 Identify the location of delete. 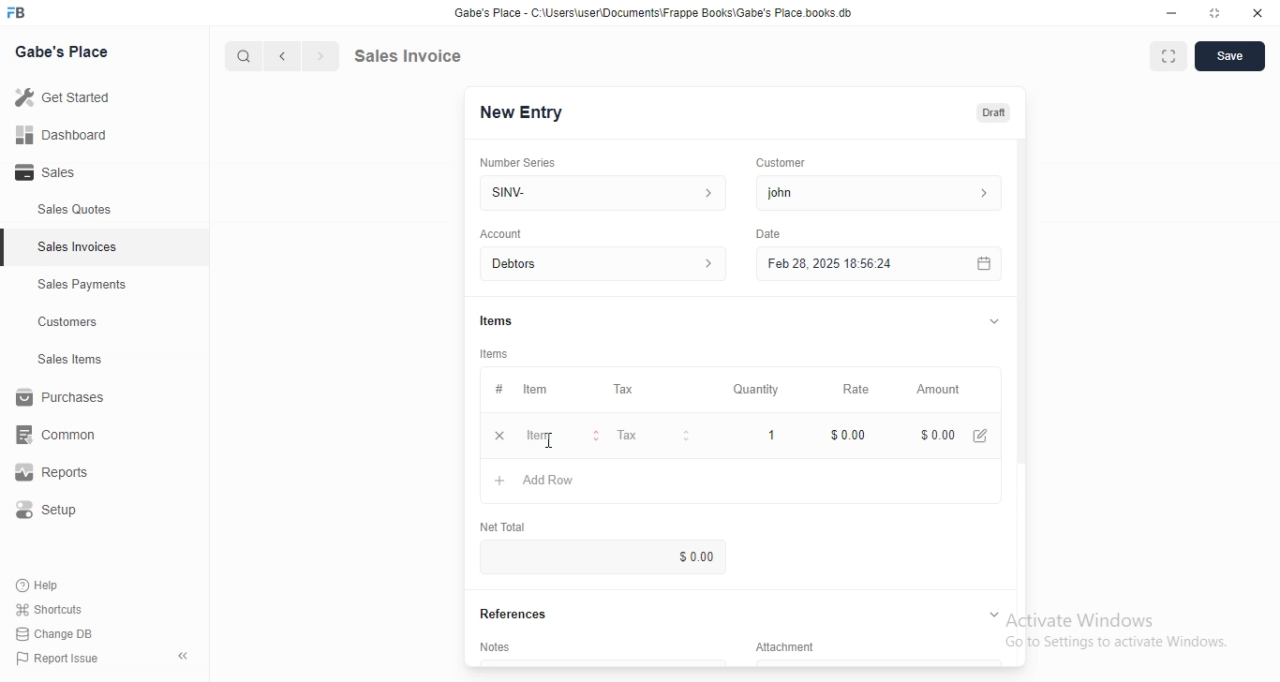
(499, 435).